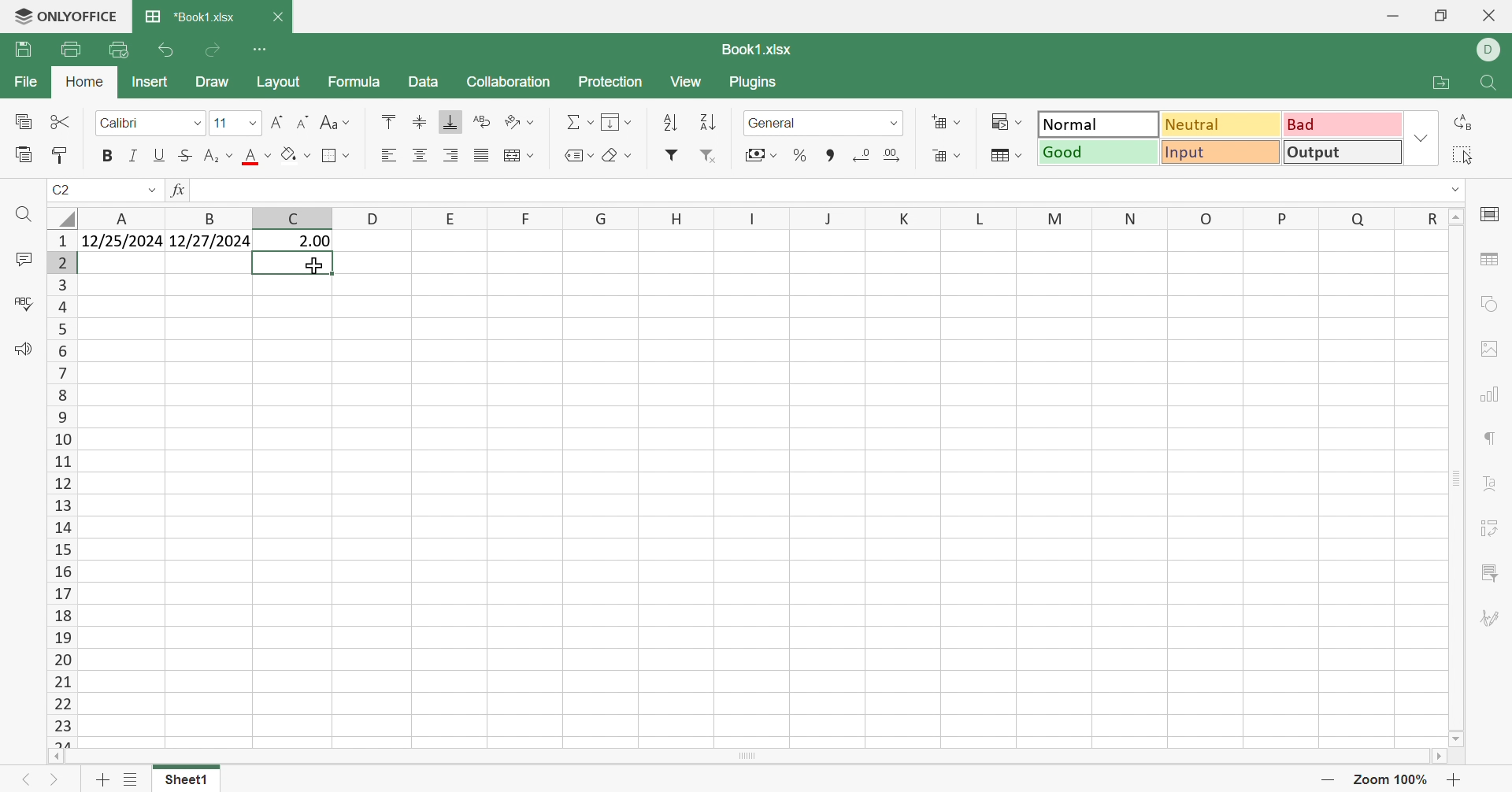 The image size is (1512, 792). What do you see at coordinates (214, 50) in the screenshot?
I see `Redo` at bounding box center [214, 50].